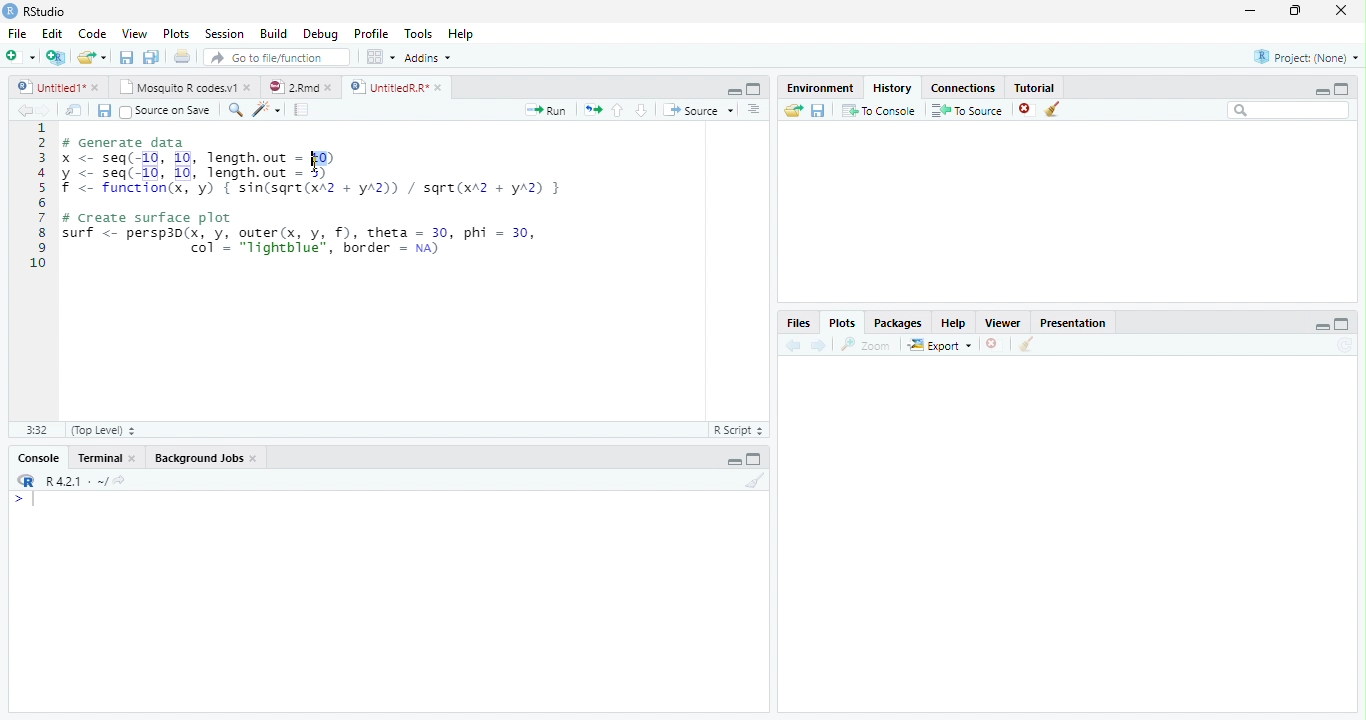 This screenshot has height=720, width=1366. What do you see at coordinates (267, 109) in the screenshot?
I see `Code tools` at bounding box center [267, 109].